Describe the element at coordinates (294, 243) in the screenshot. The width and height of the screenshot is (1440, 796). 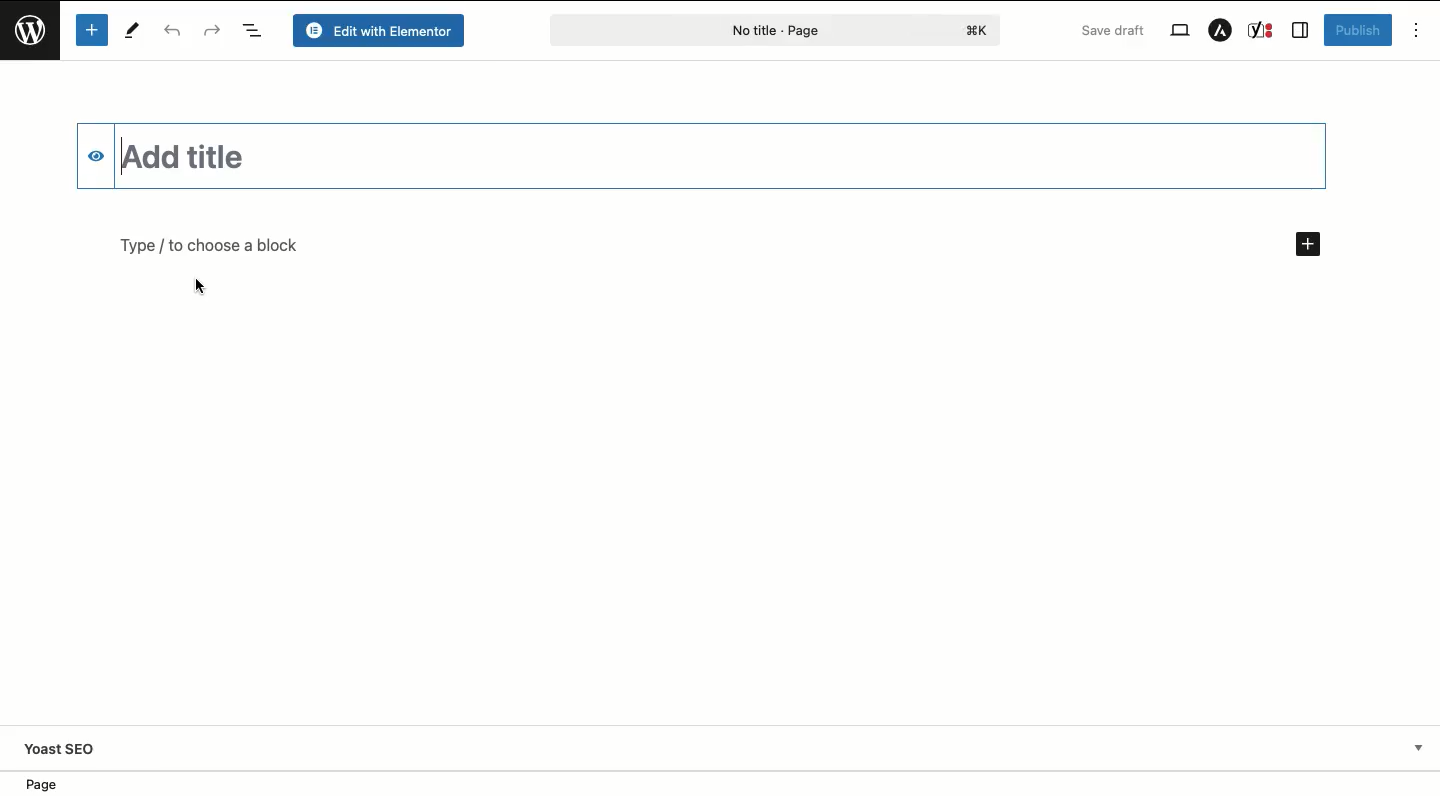
I see `Type/ Choose a block` at that location.